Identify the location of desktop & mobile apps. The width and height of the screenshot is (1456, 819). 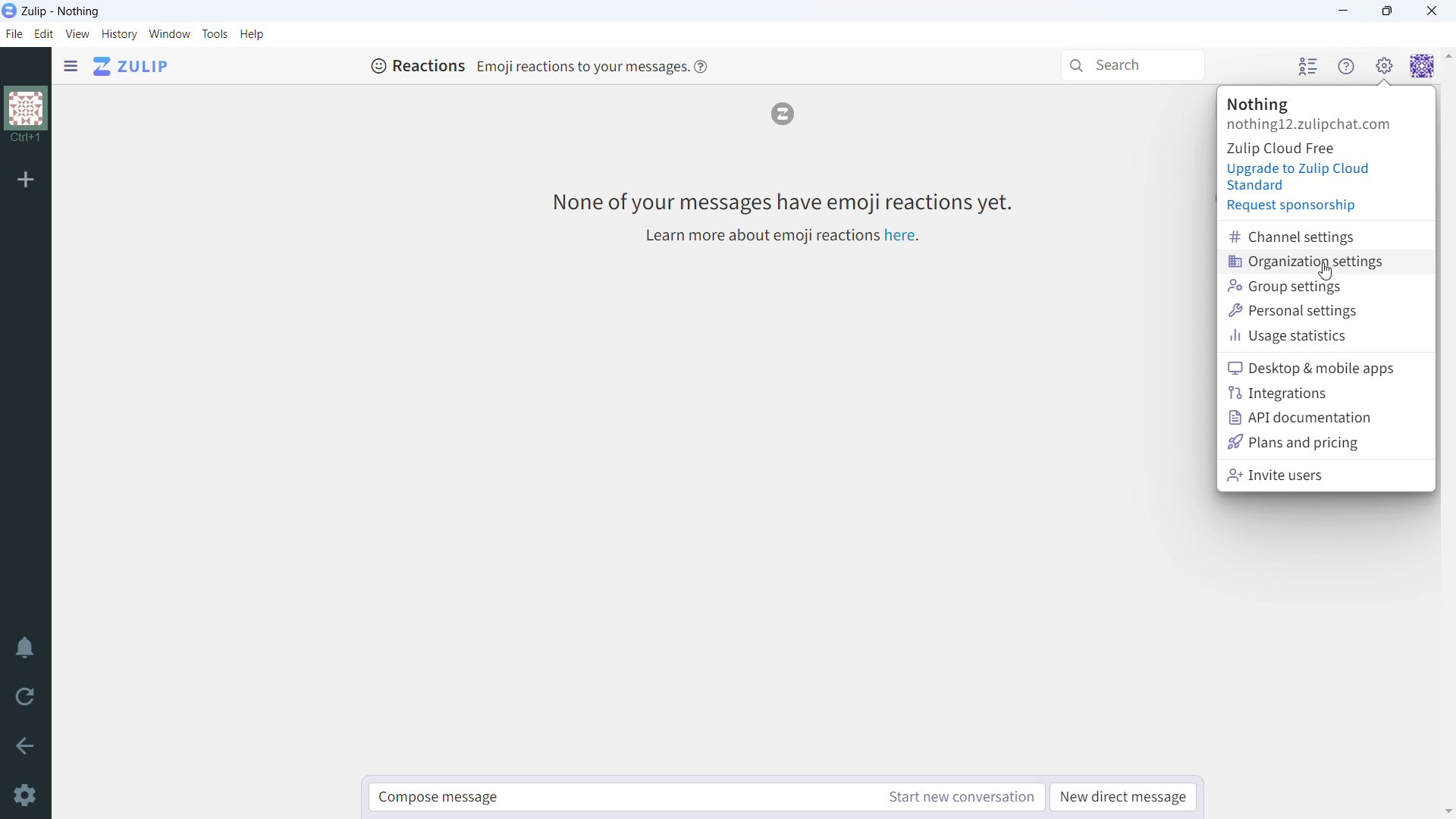
(1326, 368).